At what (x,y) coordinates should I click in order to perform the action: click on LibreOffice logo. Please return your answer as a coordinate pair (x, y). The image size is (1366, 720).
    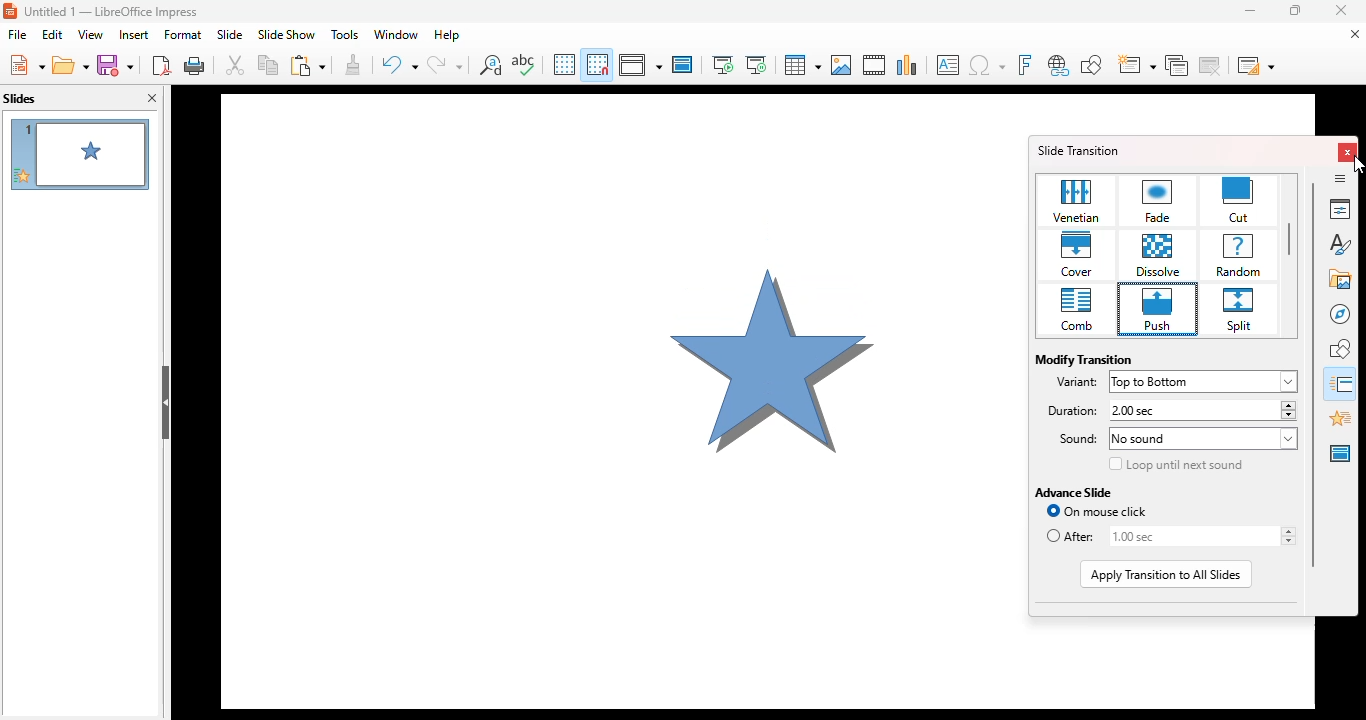
    Looking at the image, I should click on (10, 12).